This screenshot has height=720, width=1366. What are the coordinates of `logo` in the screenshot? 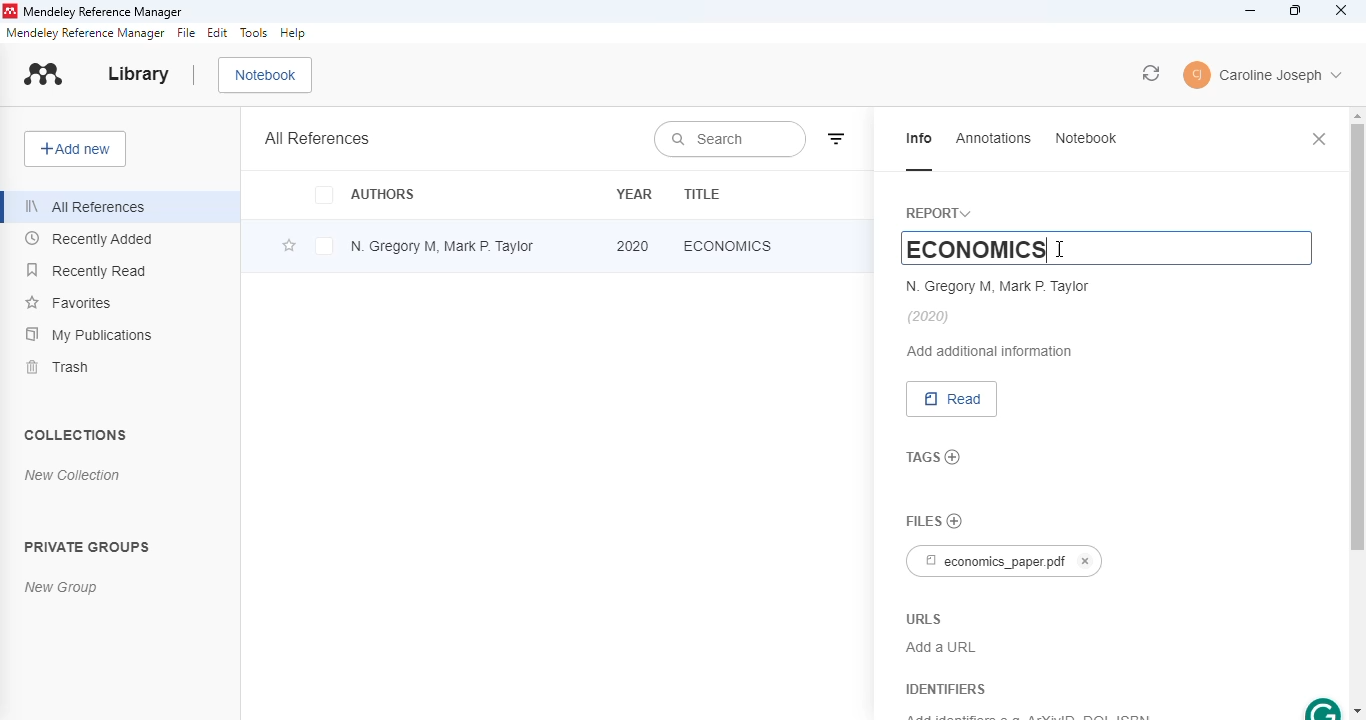 It's located at (43, 73).